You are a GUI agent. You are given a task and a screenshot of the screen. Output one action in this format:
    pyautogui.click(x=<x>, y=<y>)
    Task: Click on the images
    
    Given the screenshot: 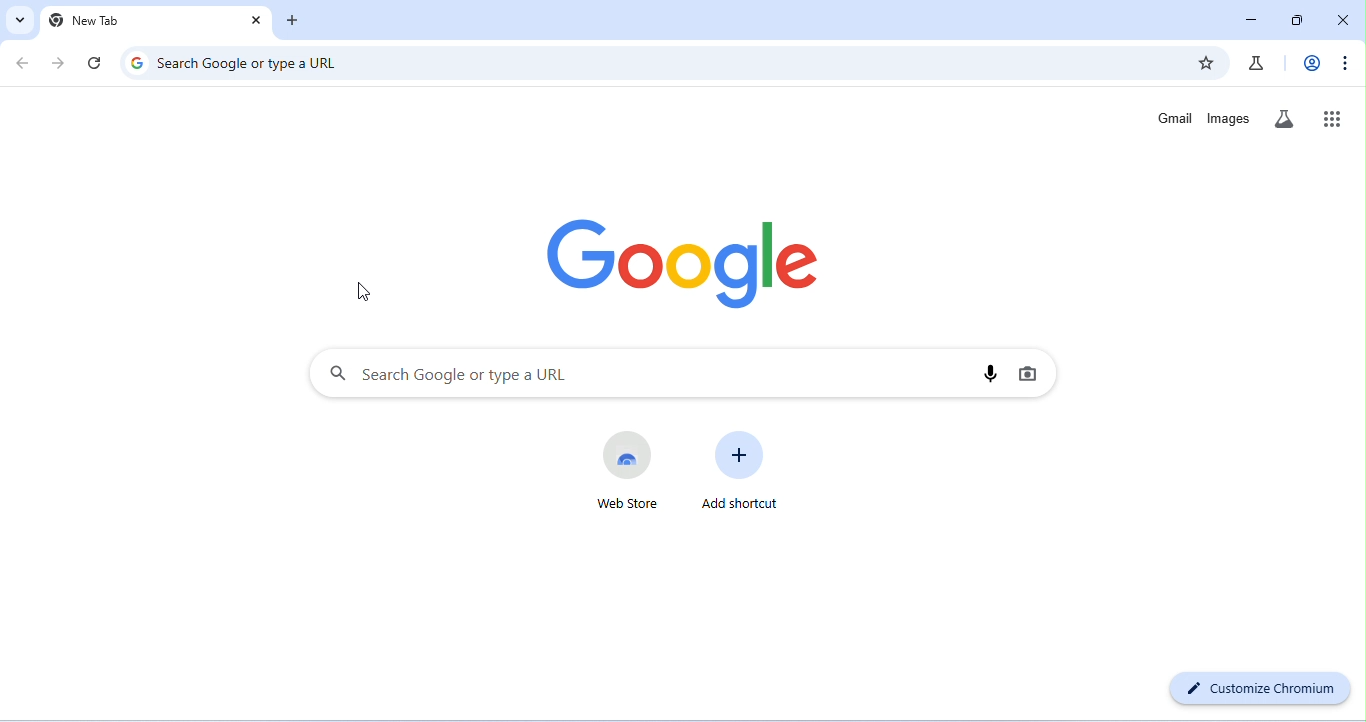 What is the action you would take?
    pyautogui.click(x=1229, y=118)
    